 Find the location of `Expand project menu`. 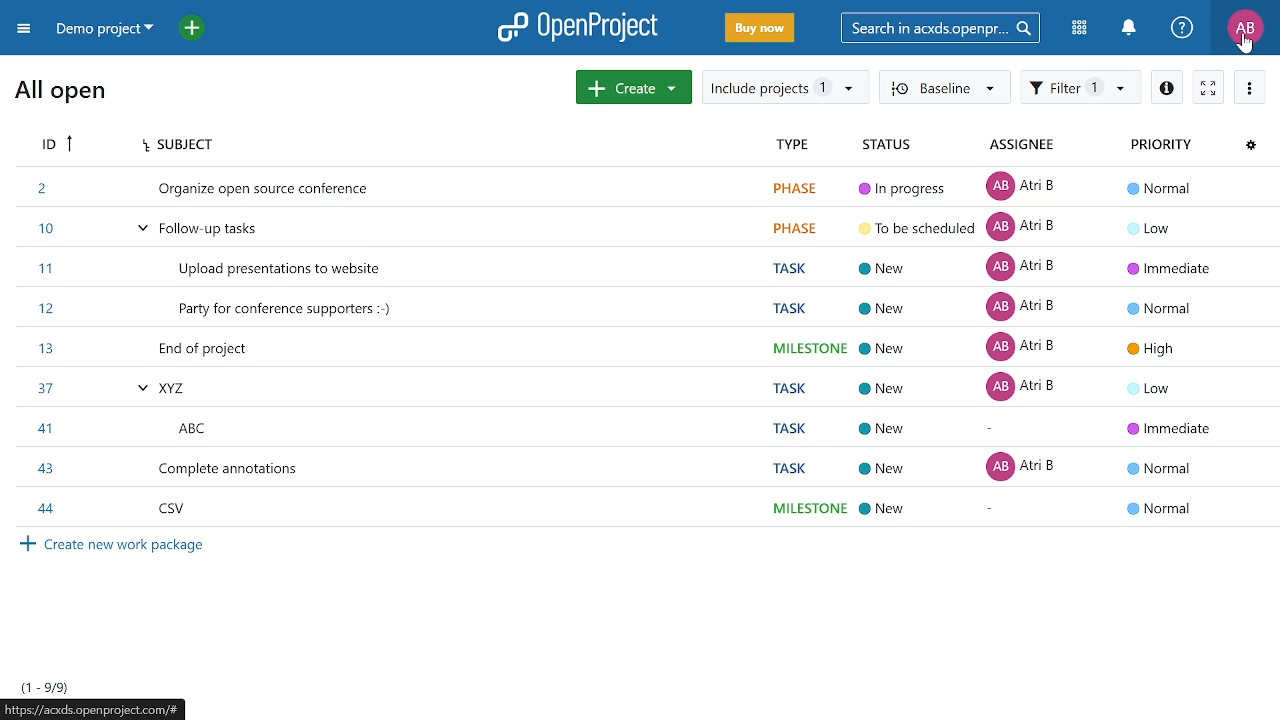

Expand project menu is located at coordinates (23, 28).